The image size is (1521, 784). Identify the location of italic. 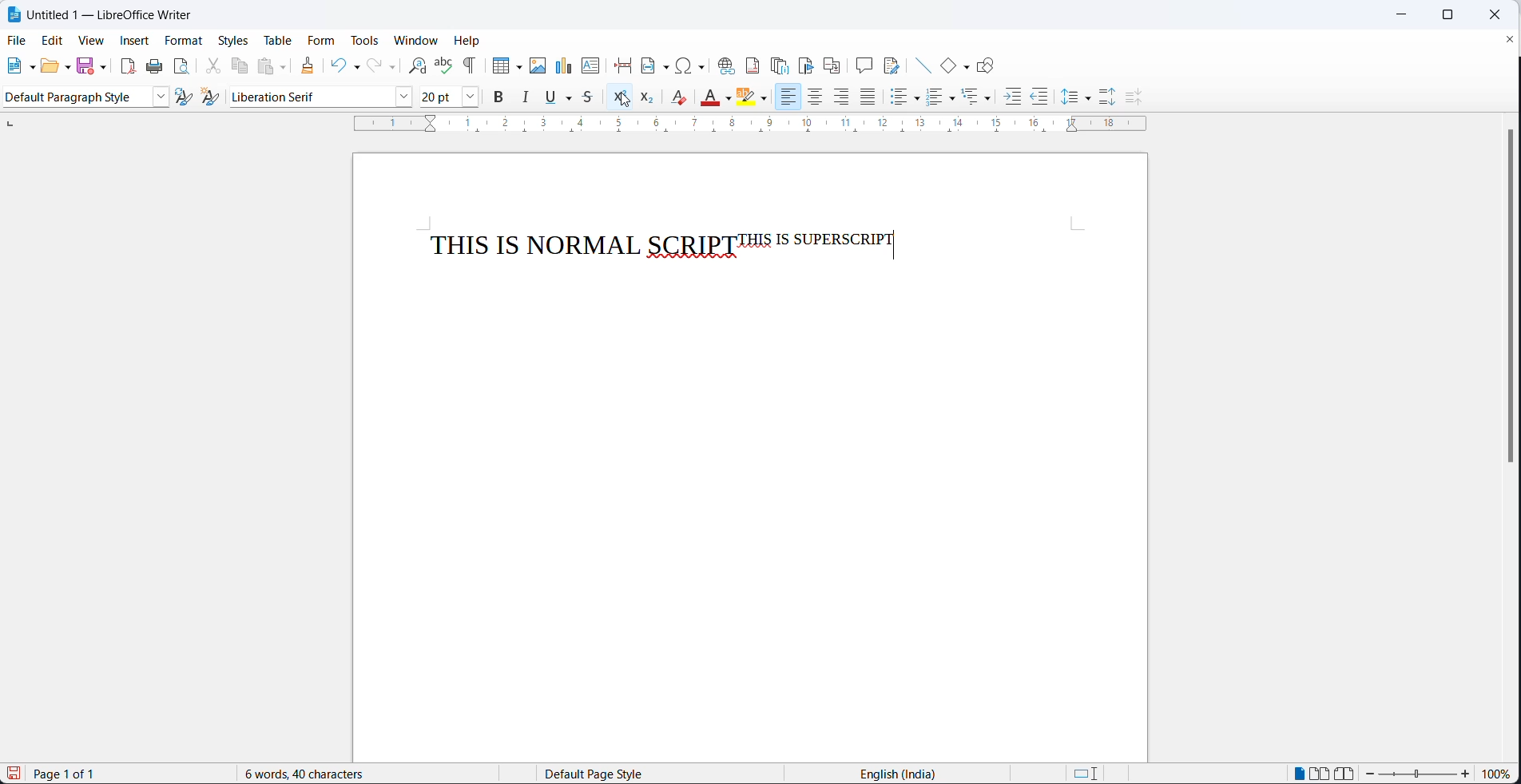
(524, 97).